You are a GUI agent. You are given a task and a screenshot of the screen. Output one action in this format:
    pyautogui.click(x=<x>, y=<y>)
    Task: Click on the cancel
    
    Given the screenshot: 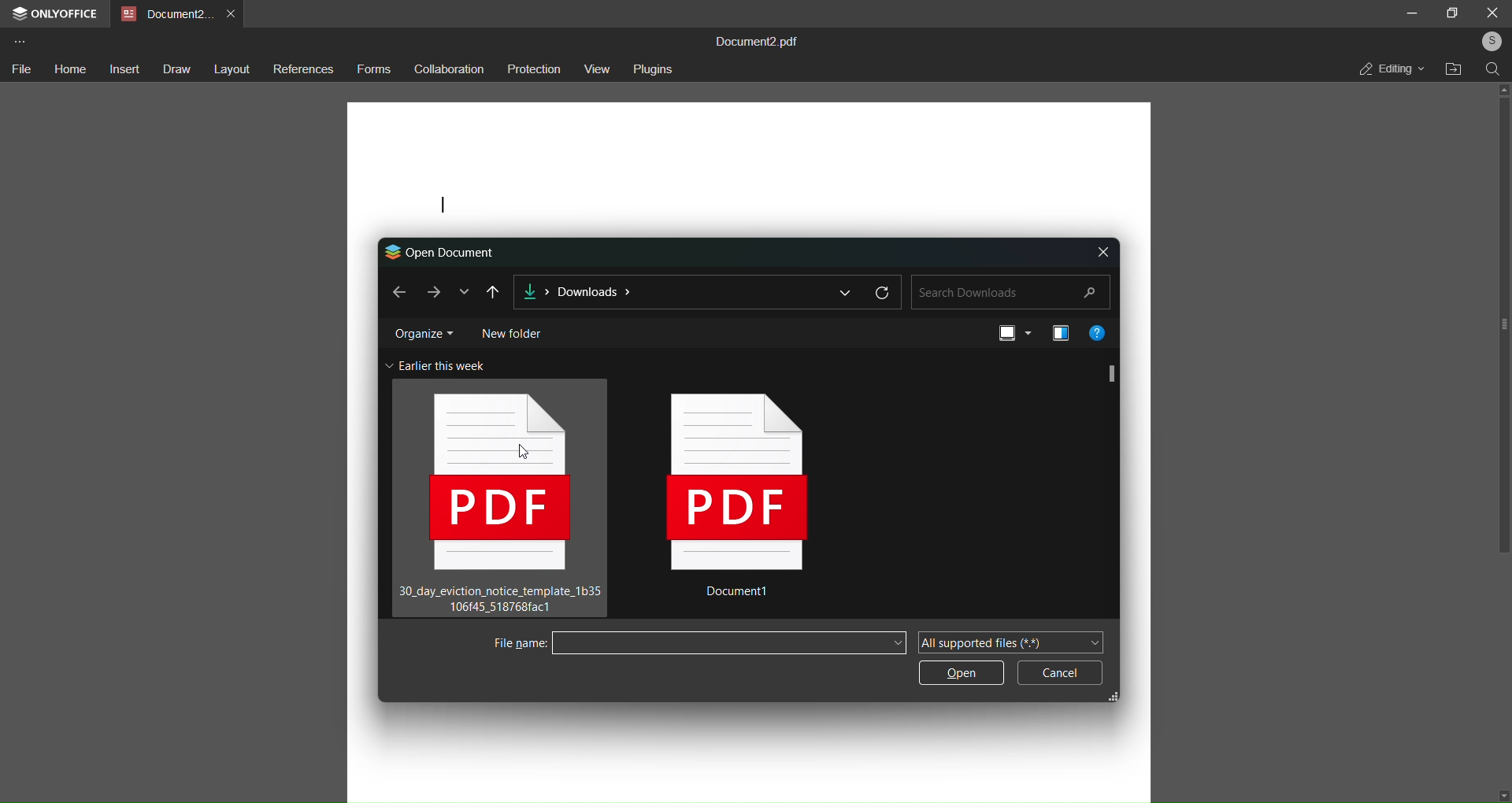 What is the action you would take?
    pyautogui.click(x=1060, y=672)
    